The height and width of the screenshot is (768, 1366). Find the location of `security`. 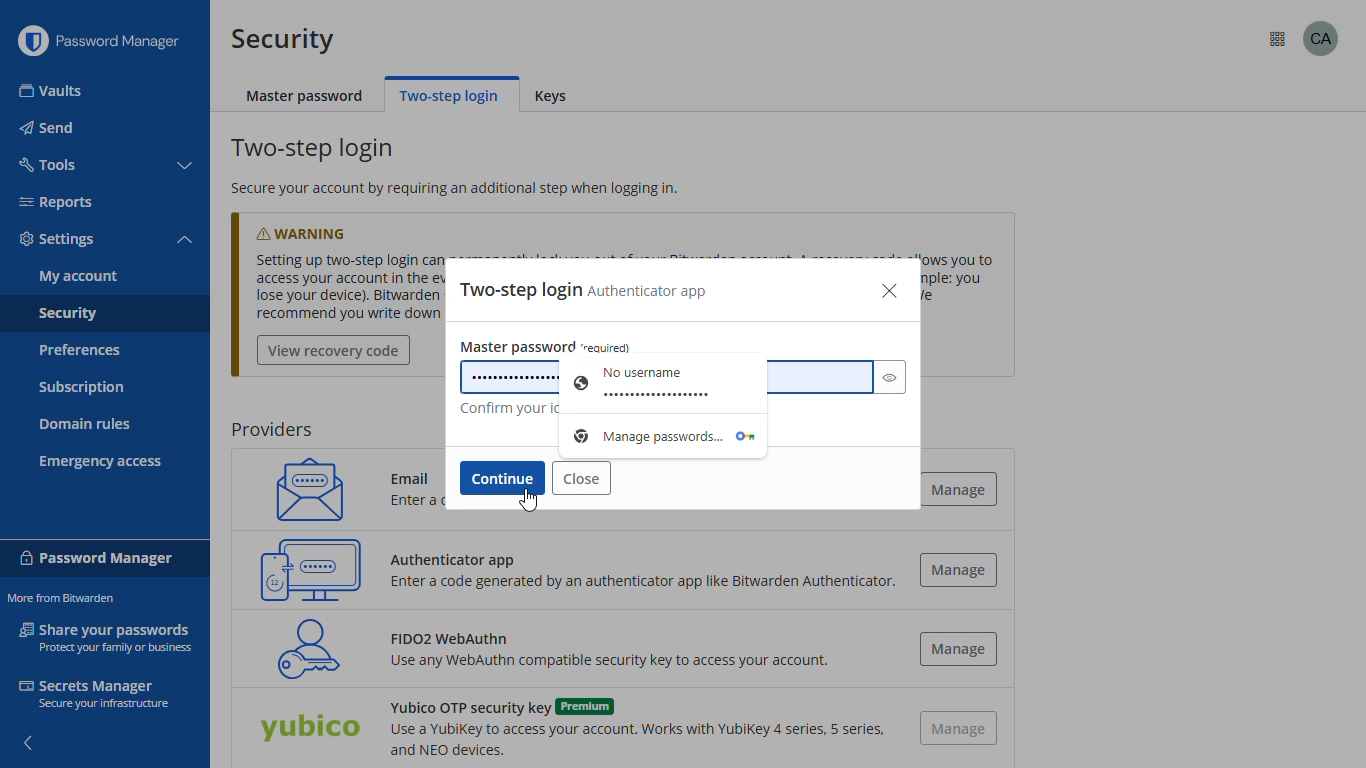

security is located at coordinates (283, 39).